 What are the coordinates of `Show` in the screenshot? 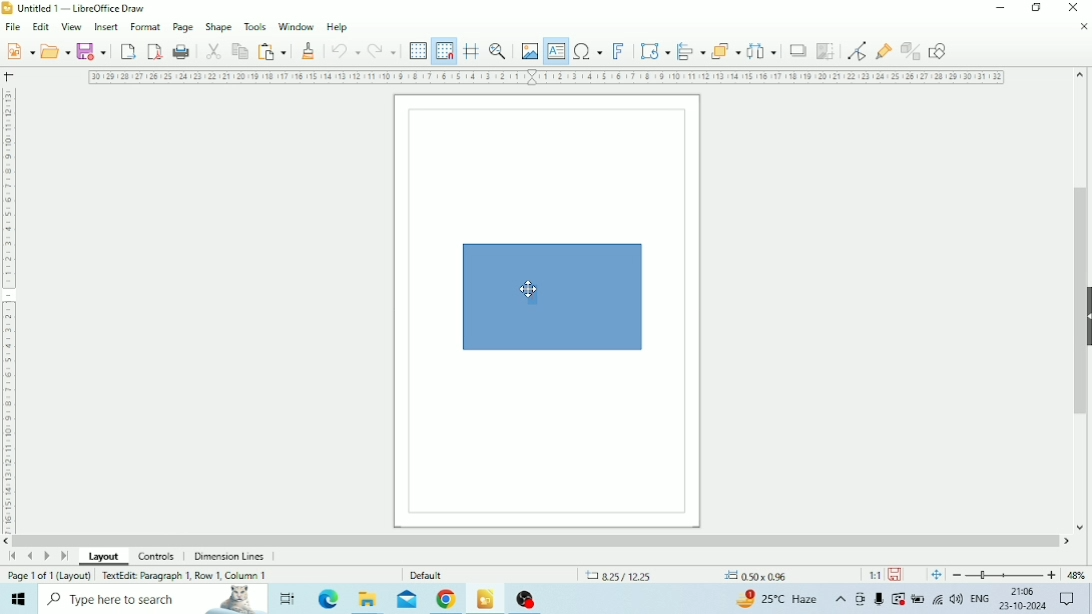 It's located at (1085, 314).